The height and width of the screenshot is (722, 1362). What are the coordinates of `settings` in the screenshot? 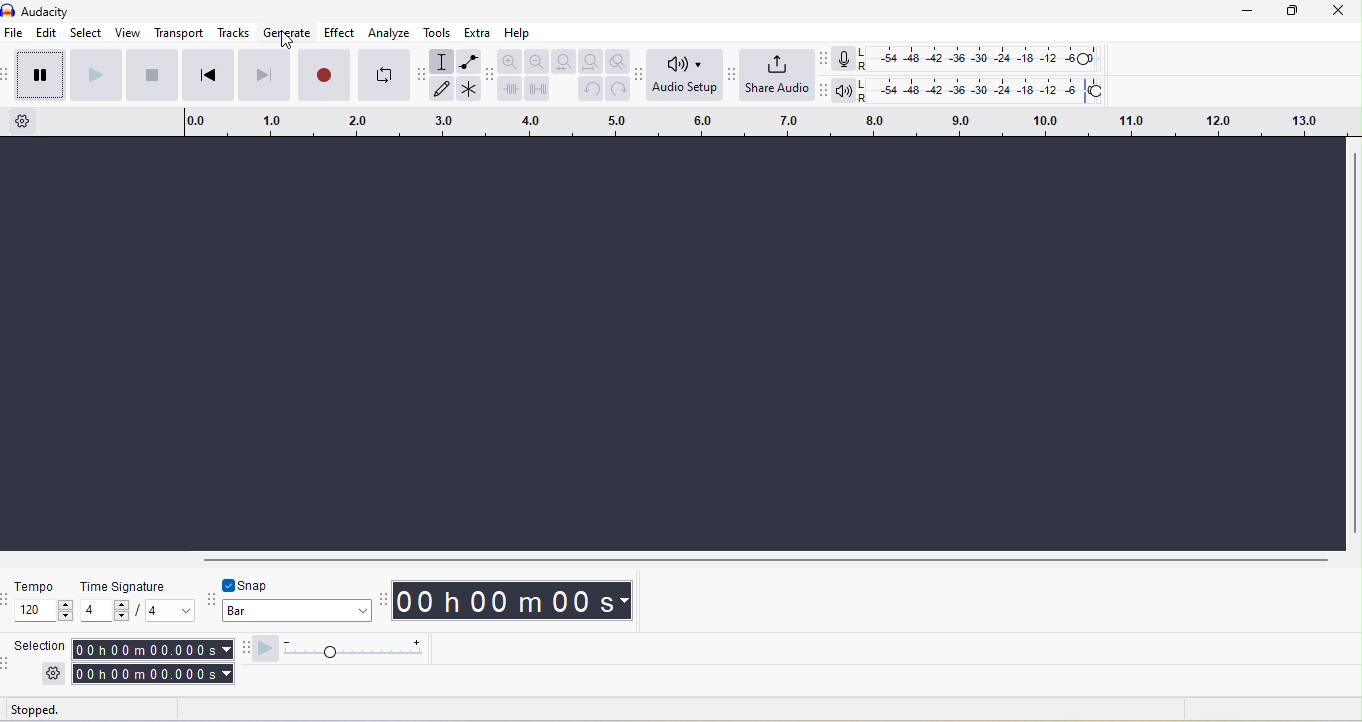 It's located at (53, 673).